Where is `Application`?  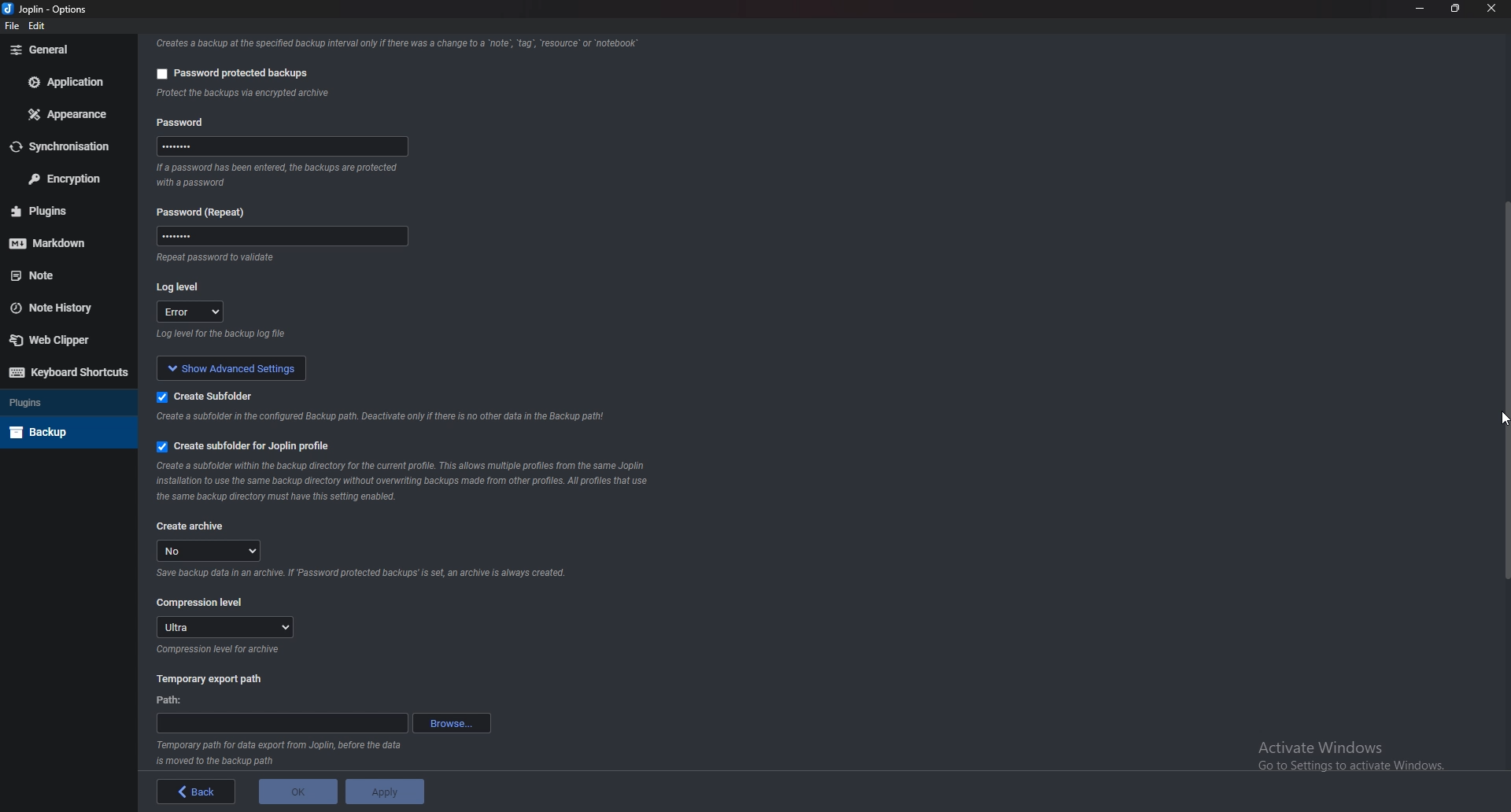
Application is located at coordinates (68, 83).